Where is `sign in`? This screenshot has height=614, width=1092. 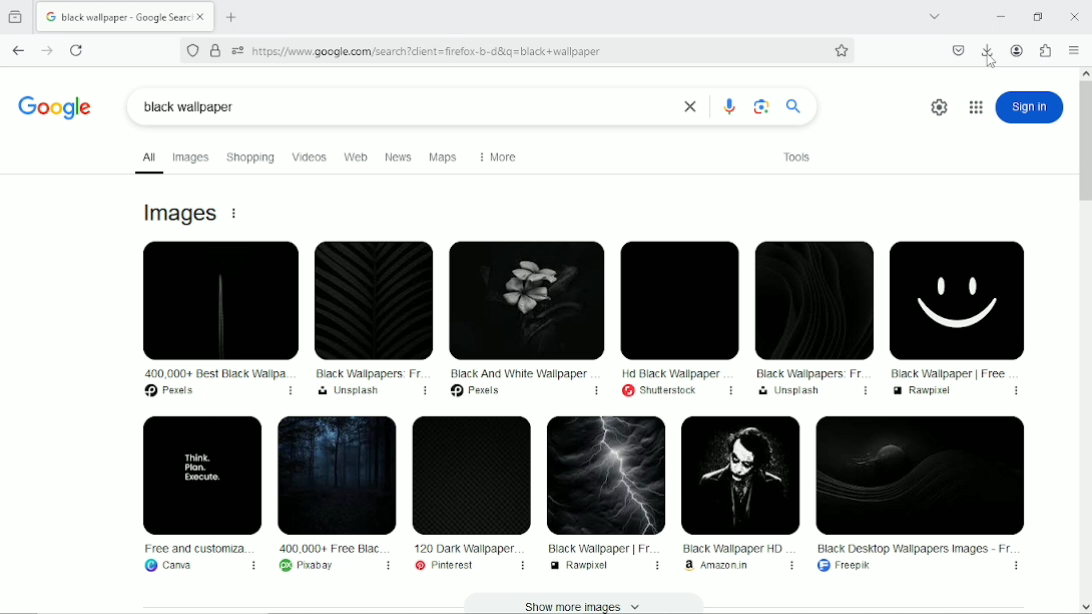 sign in is located at coordinates (1029, 108).